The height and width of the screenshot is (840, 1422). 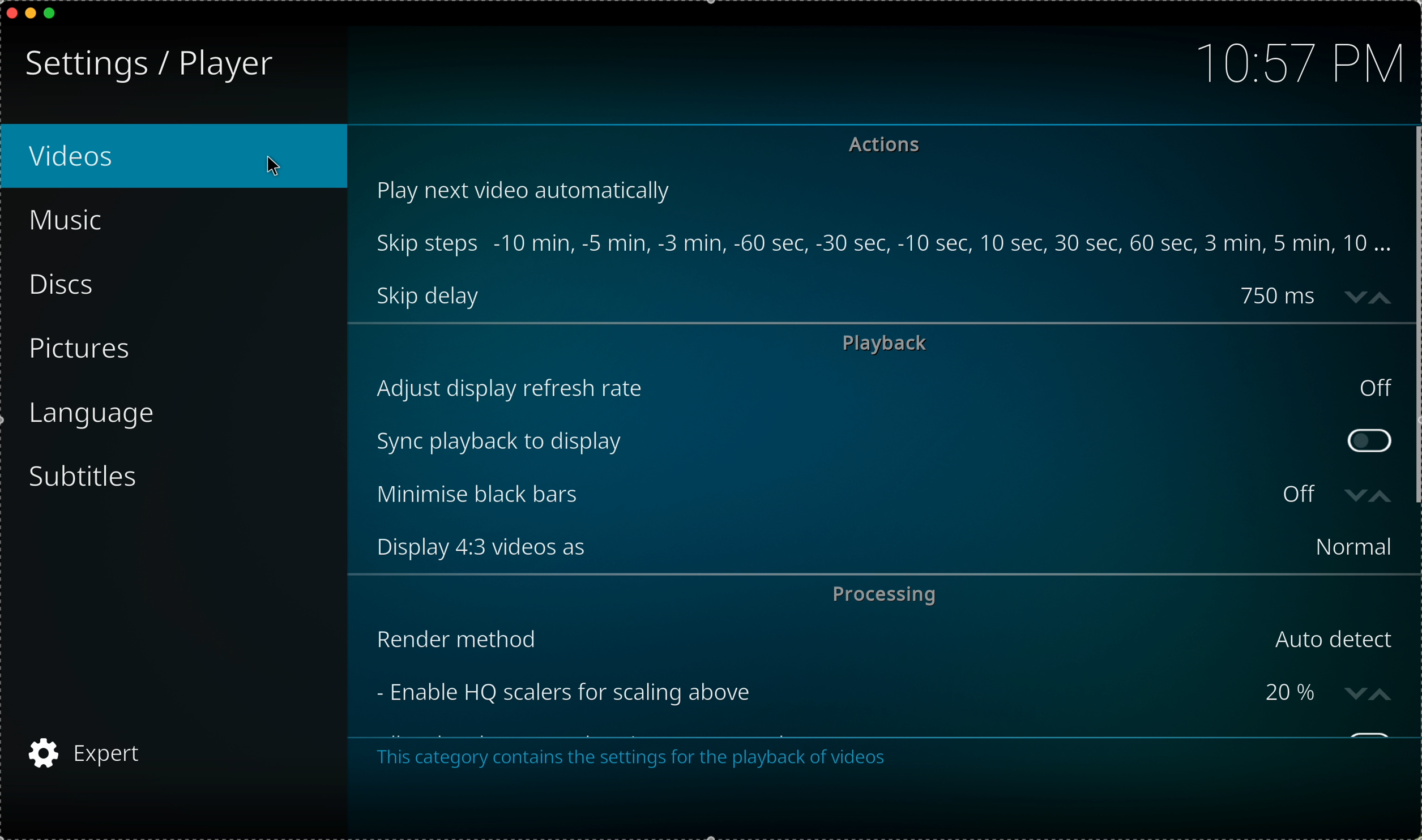 What do you see at coordinates (268, 167) in the screenshot?
I see `Cursor` at bounding box center [268, 167].